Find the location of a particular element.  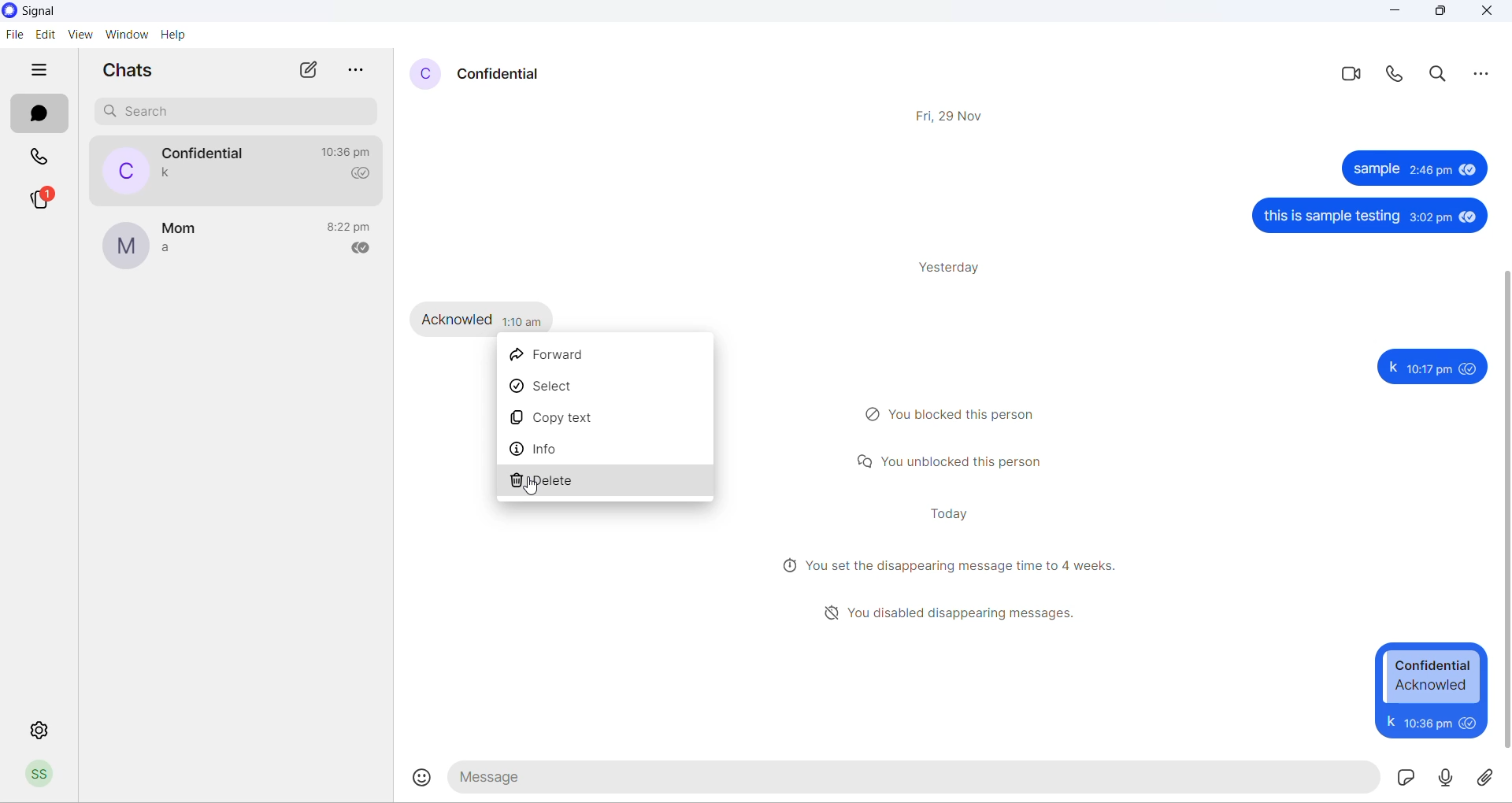

settings is located at coordinates (36, 724).